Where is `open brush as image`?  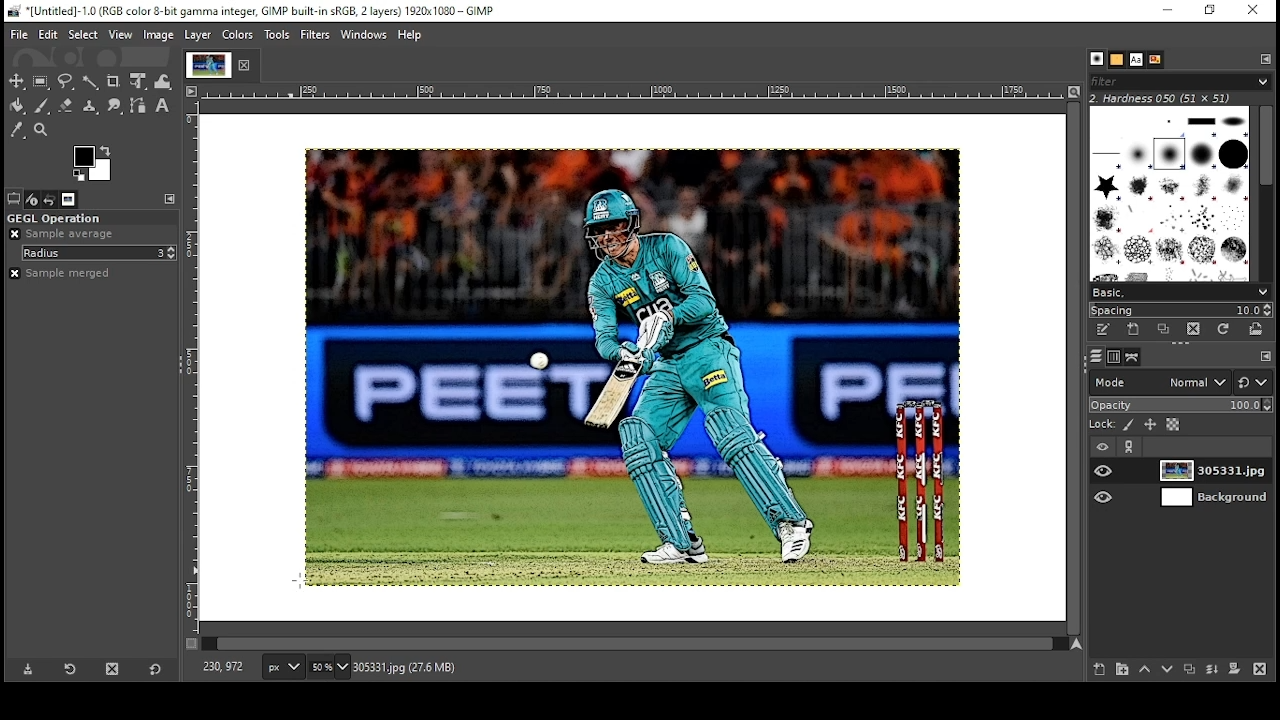 open brush as image is located at coordinates (1257, 329).